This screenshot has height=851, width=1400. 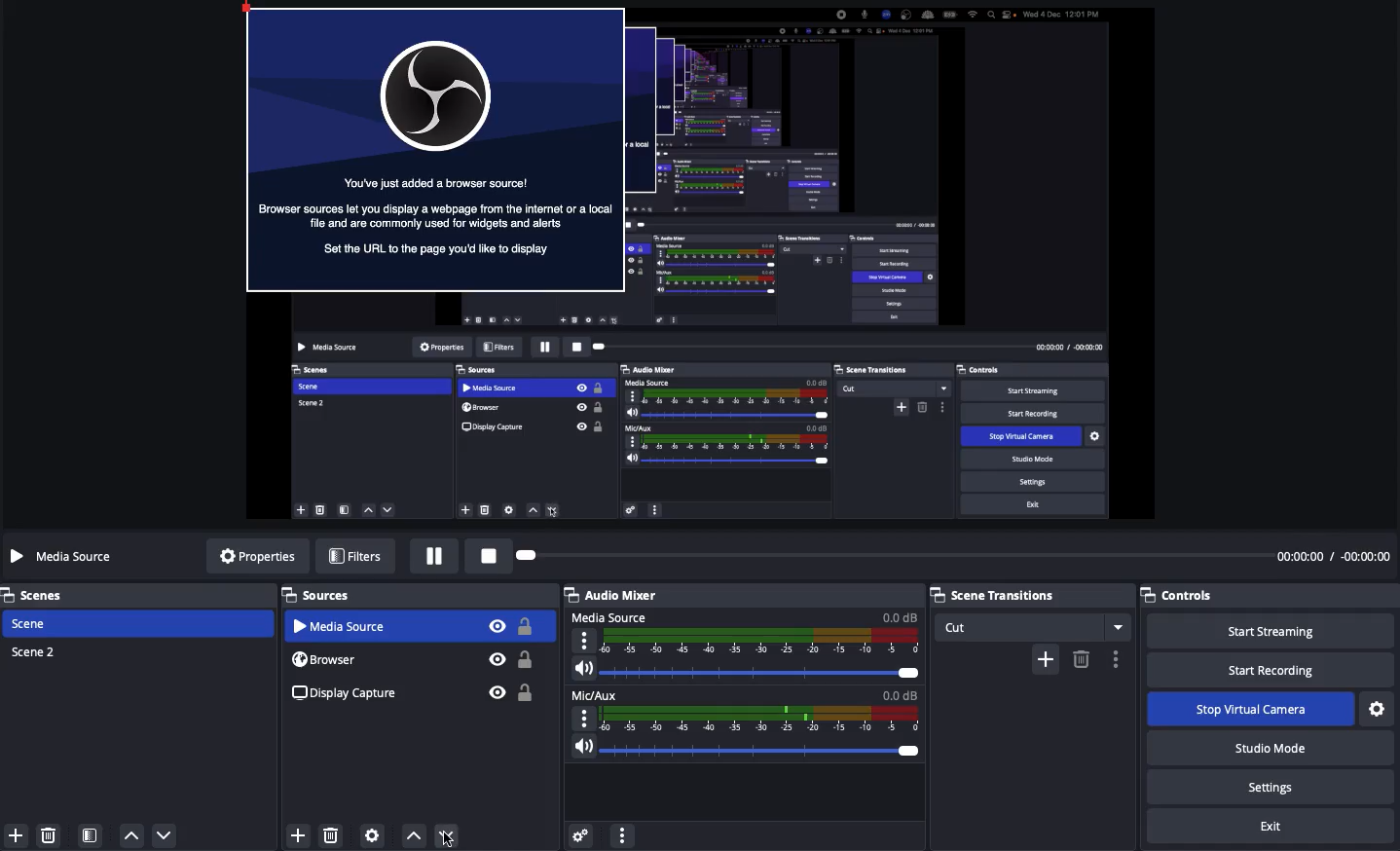 What do you see at coordinates (1113, 658) in the screenshot?
I see `Options` at bounding box center [1113, 658].